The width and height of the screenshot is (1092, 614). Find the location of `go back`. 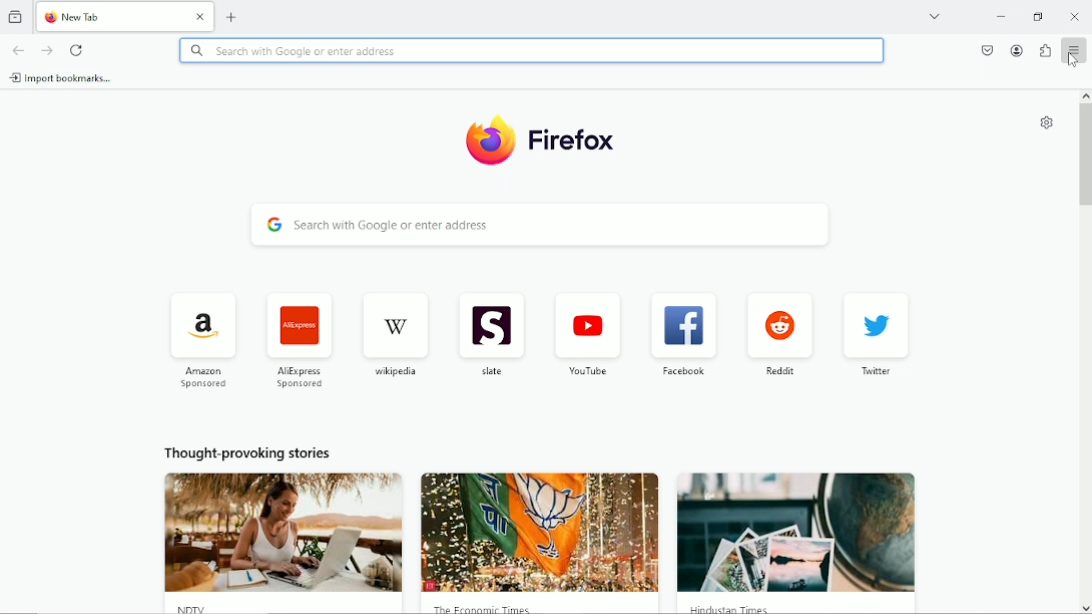

go back is located at coordinates (20, 49).